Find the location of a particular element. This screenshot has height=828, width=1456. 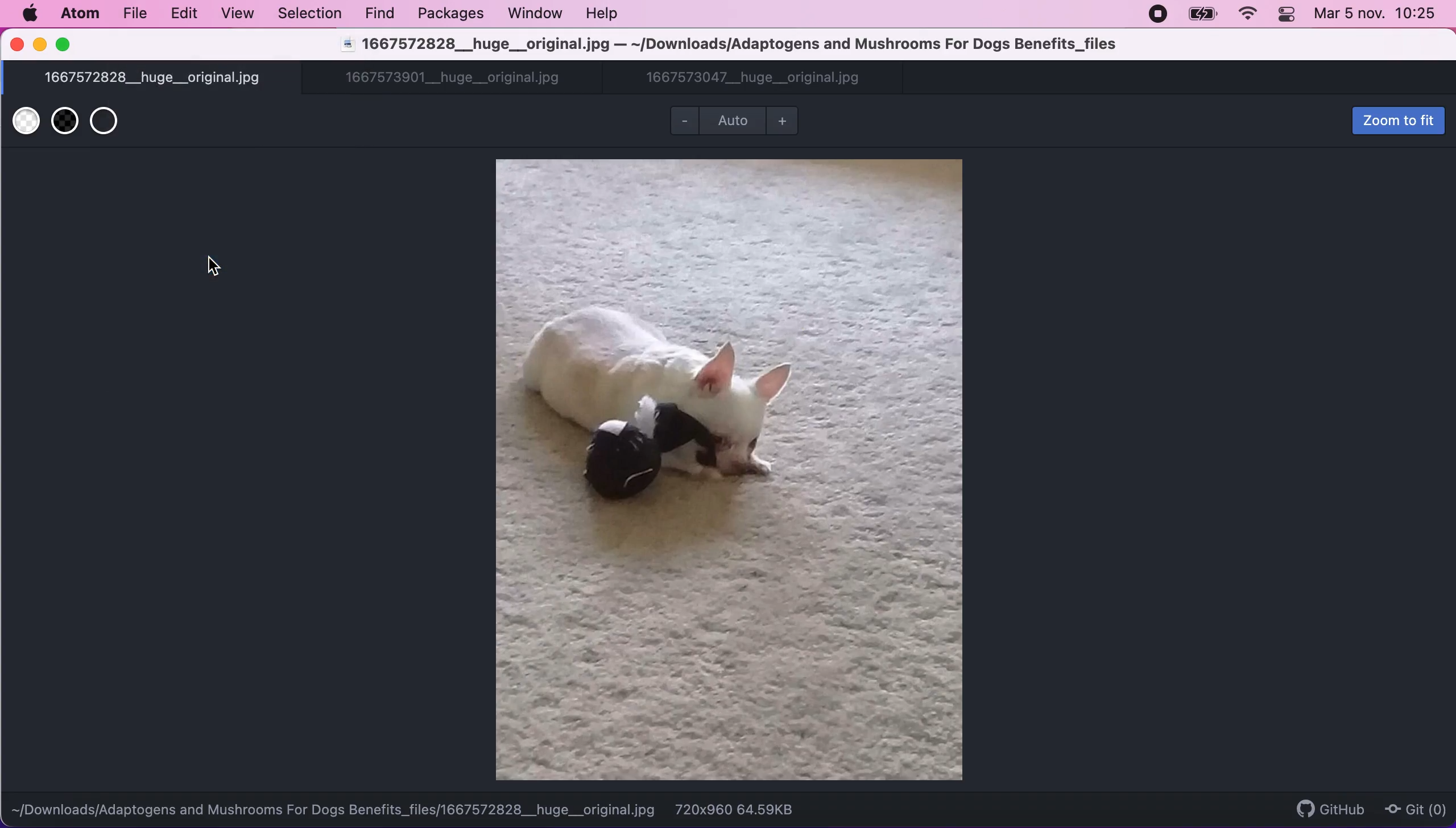

Auto is located at coordinates (733, 122).